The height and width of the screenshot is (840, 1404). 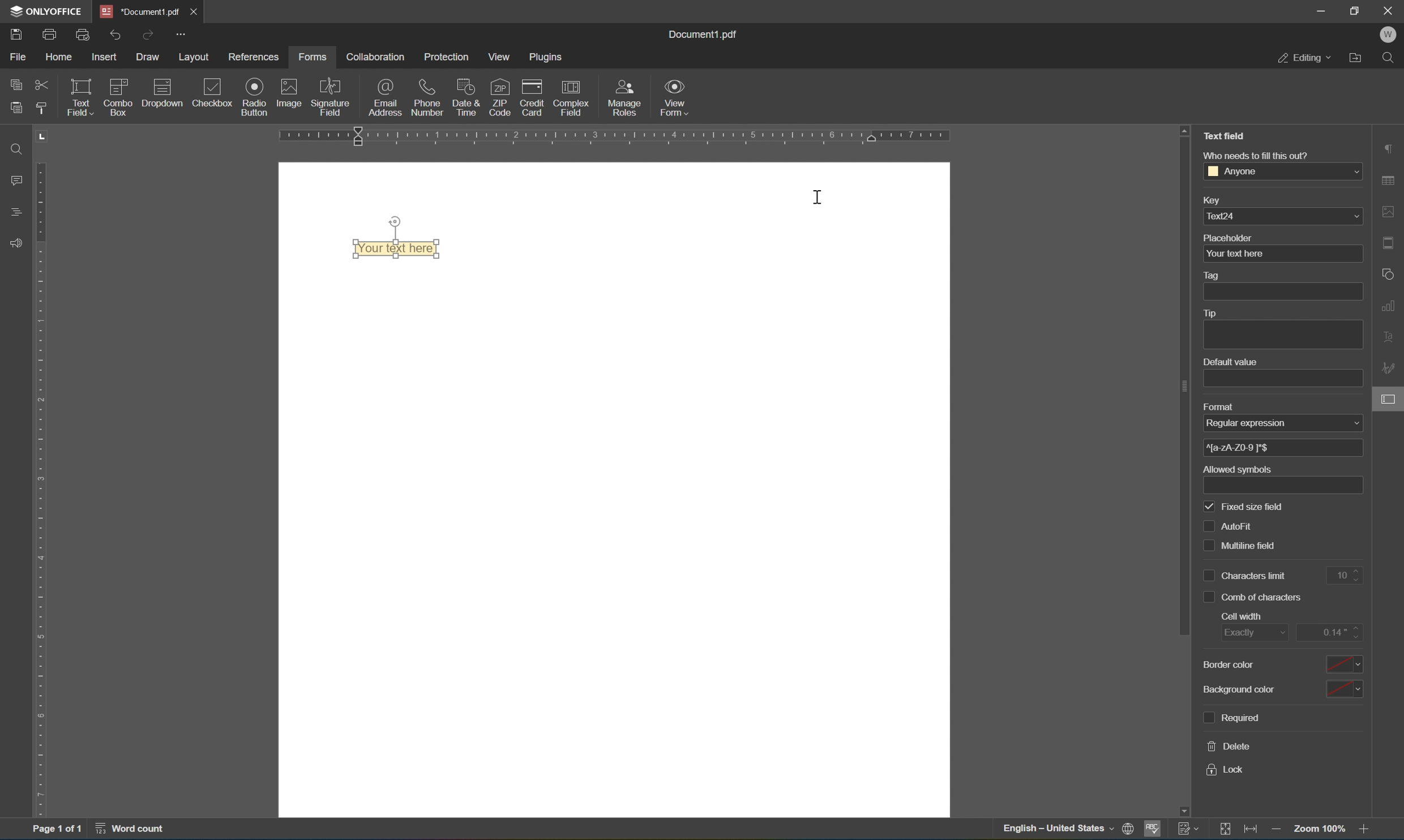 I want to click on select border color, so click(x=1342, y=663).